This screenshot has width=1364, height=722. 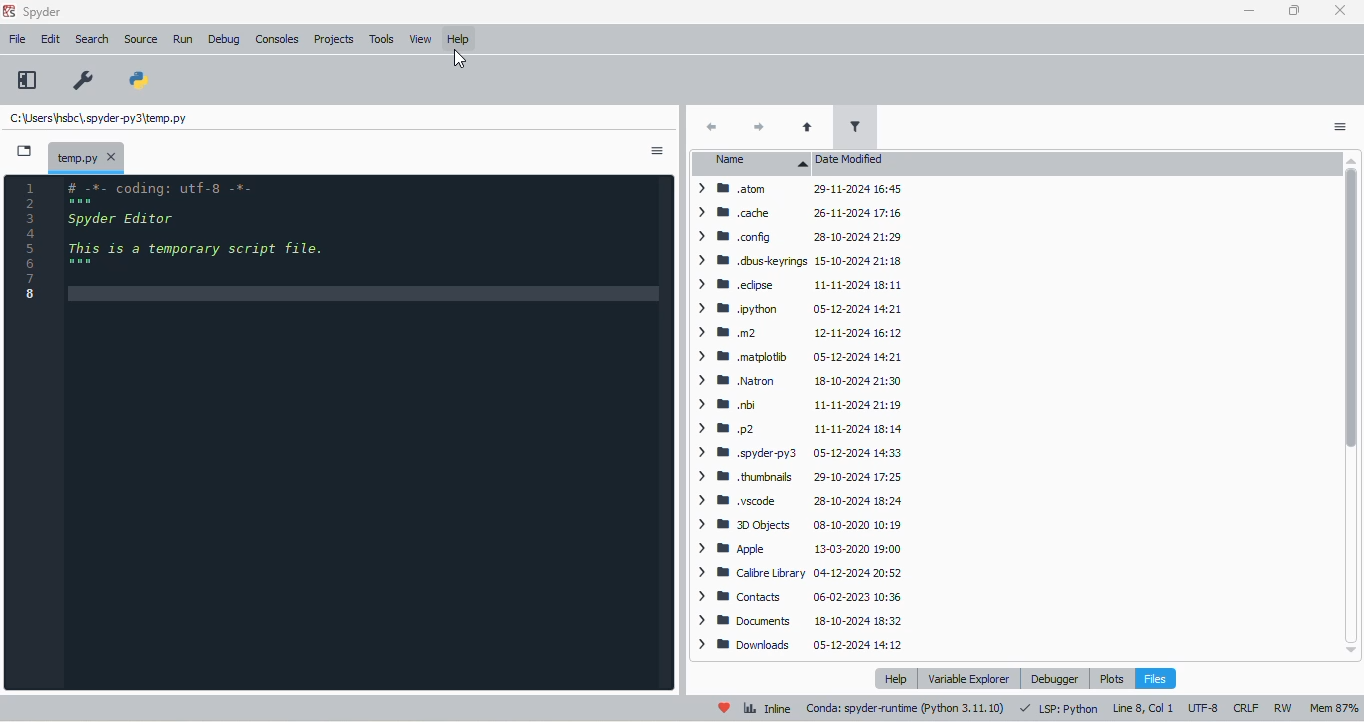 I want to click on temporary file, so click(x=74, y=158).